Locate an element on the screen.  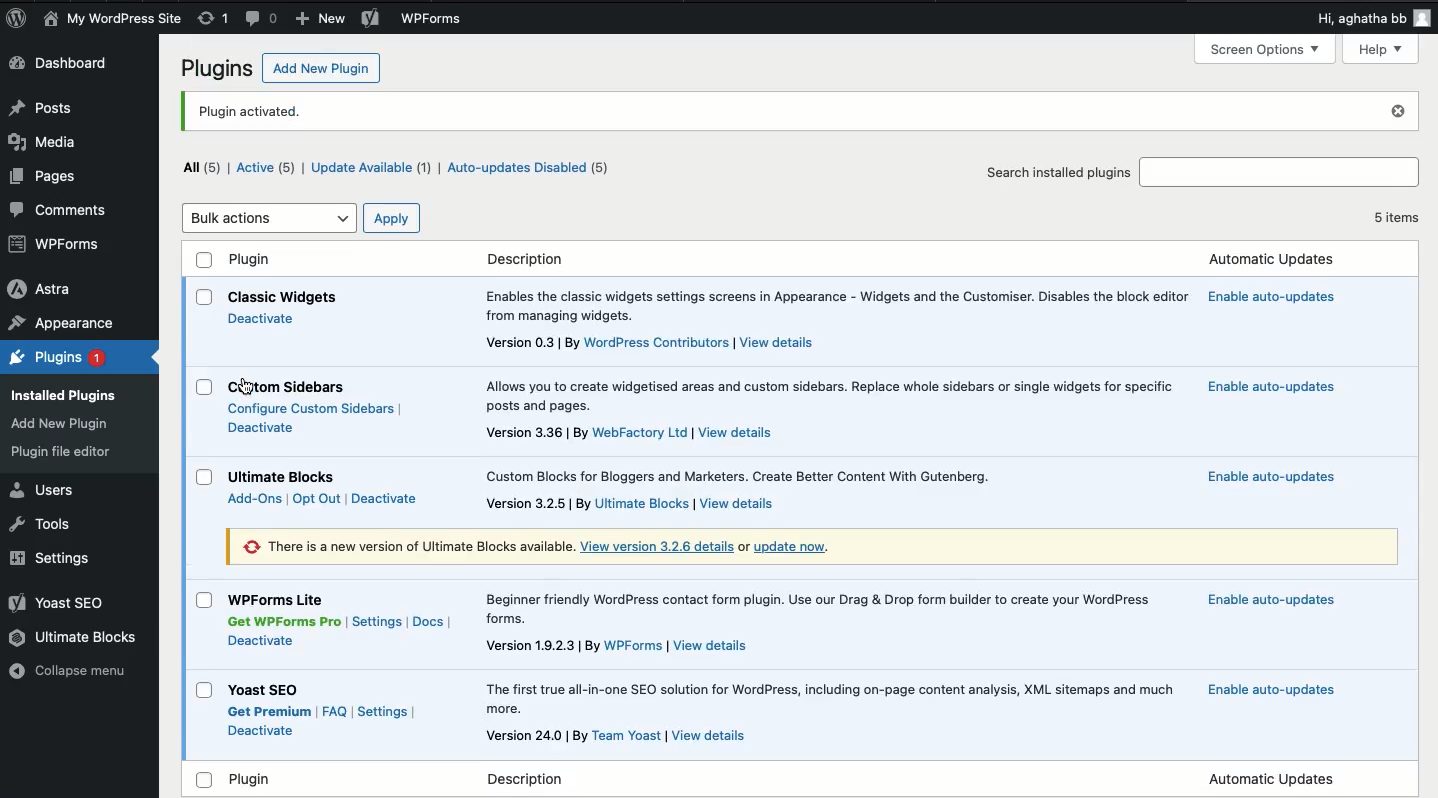
update now is located at coordinates (800, 548).